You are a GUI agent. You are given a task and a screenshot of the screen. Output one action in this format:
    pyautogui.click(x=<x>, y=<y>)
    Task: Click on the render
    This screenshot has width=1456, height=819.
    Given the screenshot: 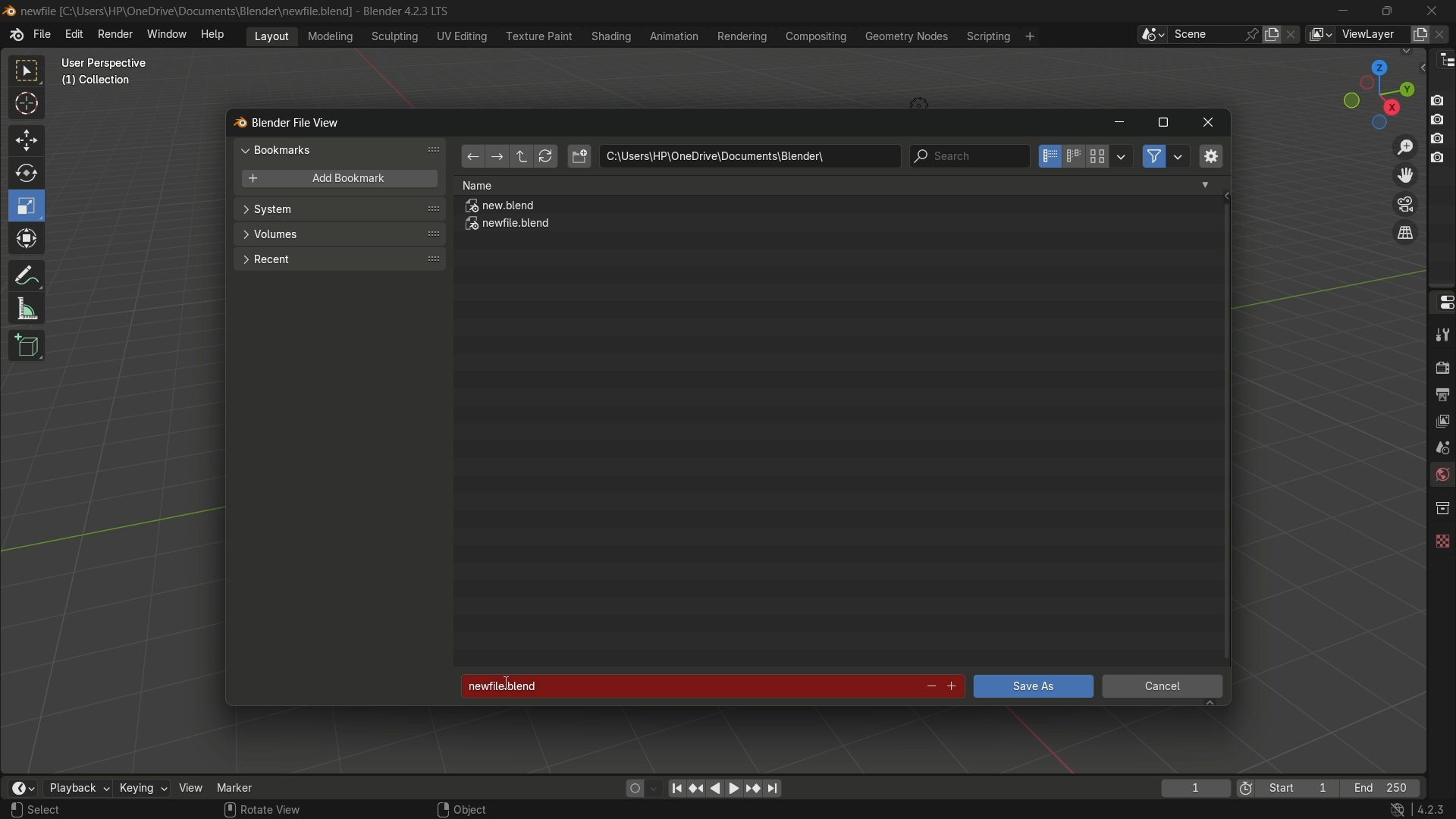 What is the action you would take?
    pyautogui.click(x=1439, y=366)
    